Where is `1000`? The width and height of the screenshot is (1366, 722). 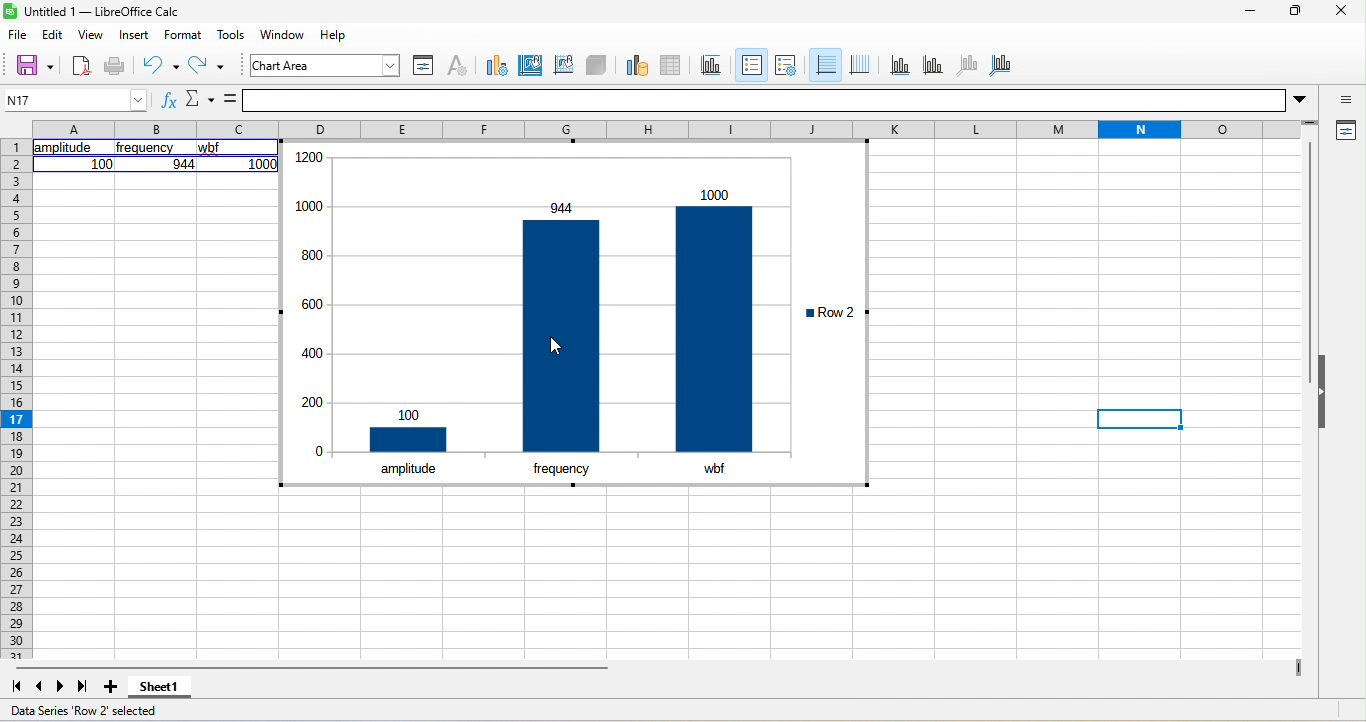
1000 is located at coordinates (263, 164).